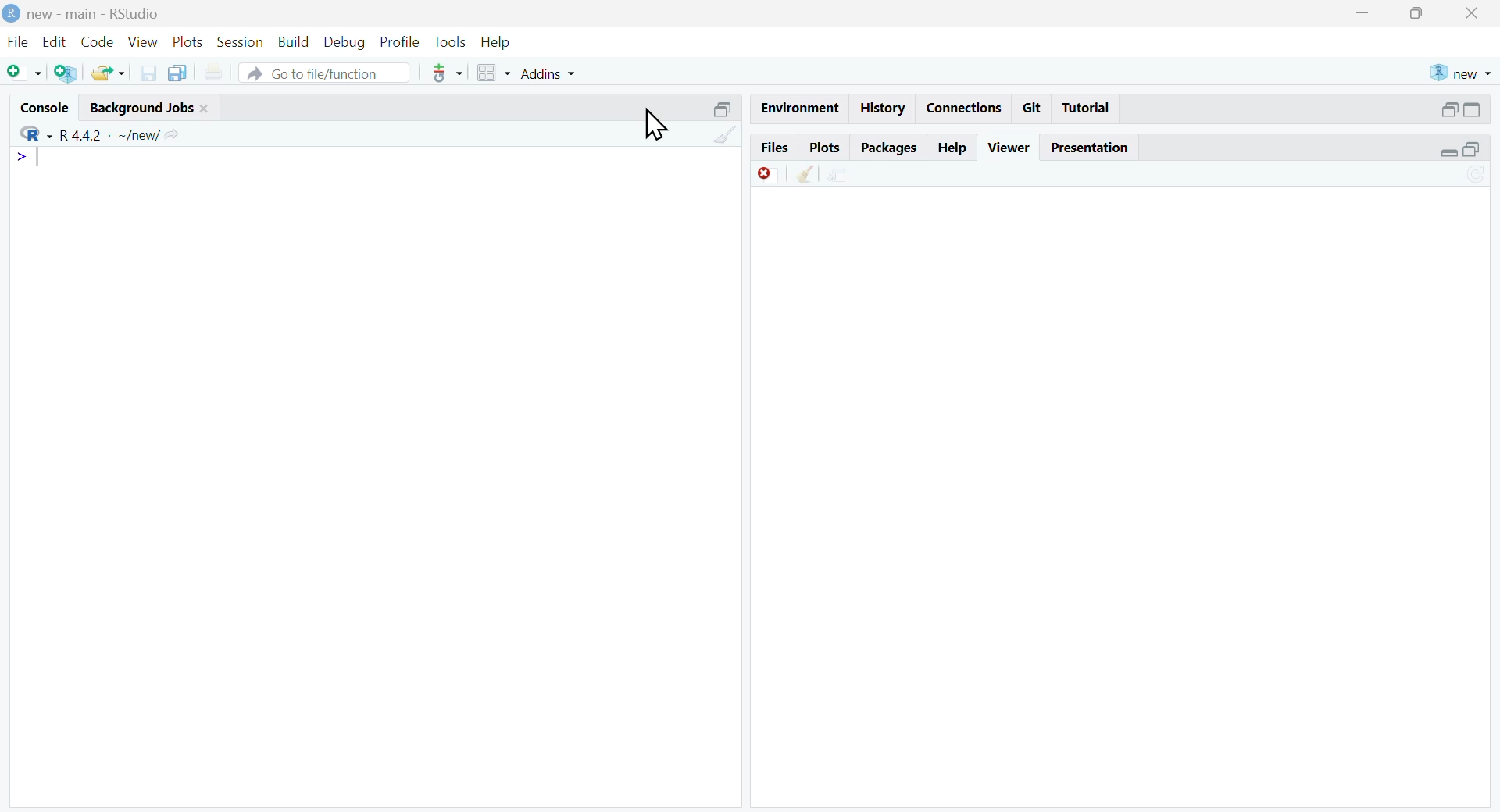 This screenshot has width=1500, height=812. I want to click on share file, so click(838, 175).